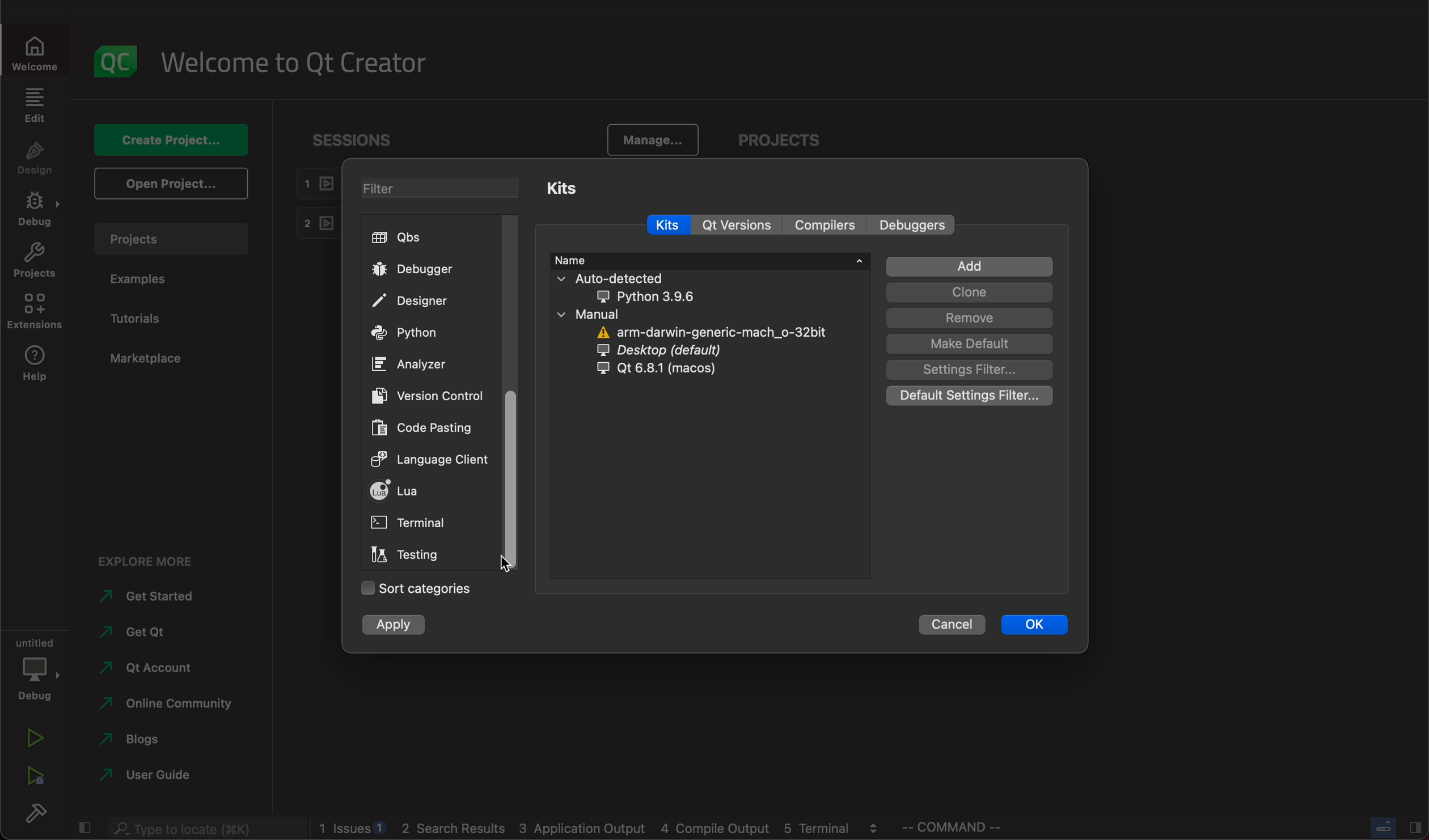  Describe the element at coordinates (1390, 826) in the screenshot. I see `close slide bar` at that location.